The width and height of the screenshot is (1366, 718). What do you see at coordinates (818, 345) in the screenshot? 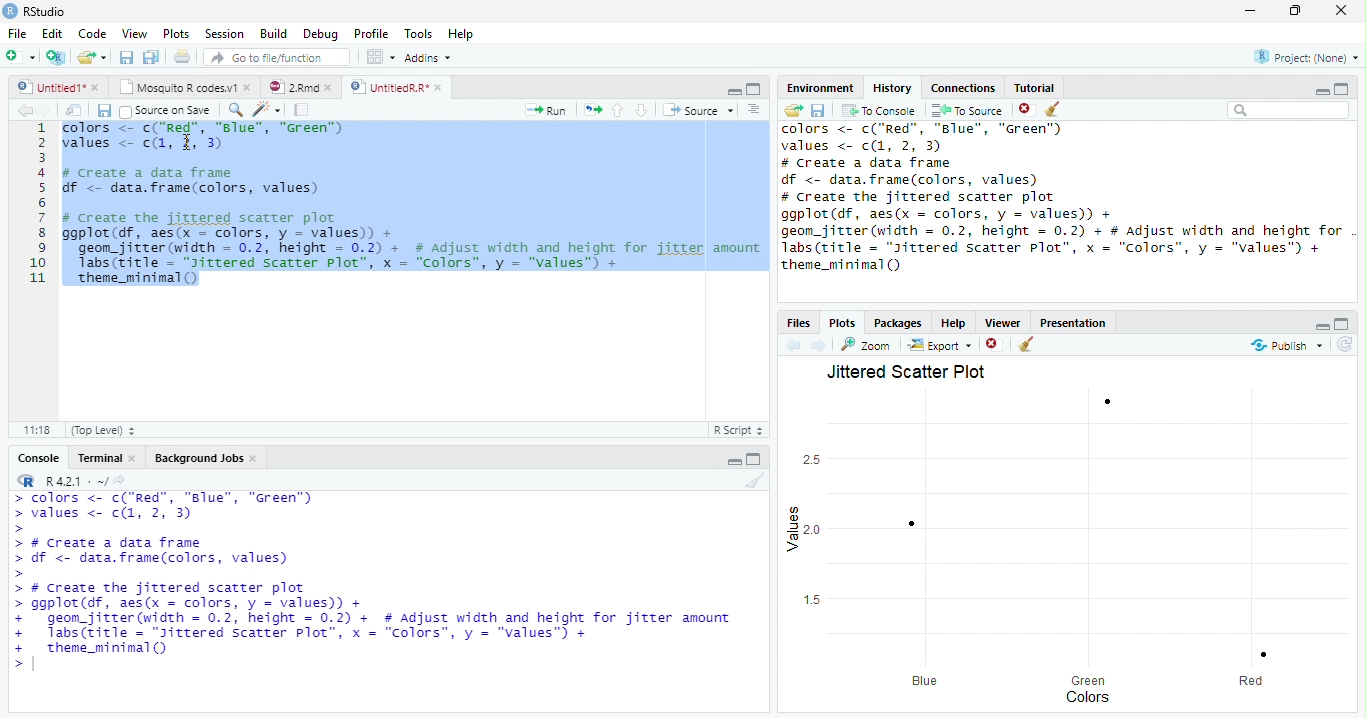
I see `Next plot` at bounding box center [818, 345].